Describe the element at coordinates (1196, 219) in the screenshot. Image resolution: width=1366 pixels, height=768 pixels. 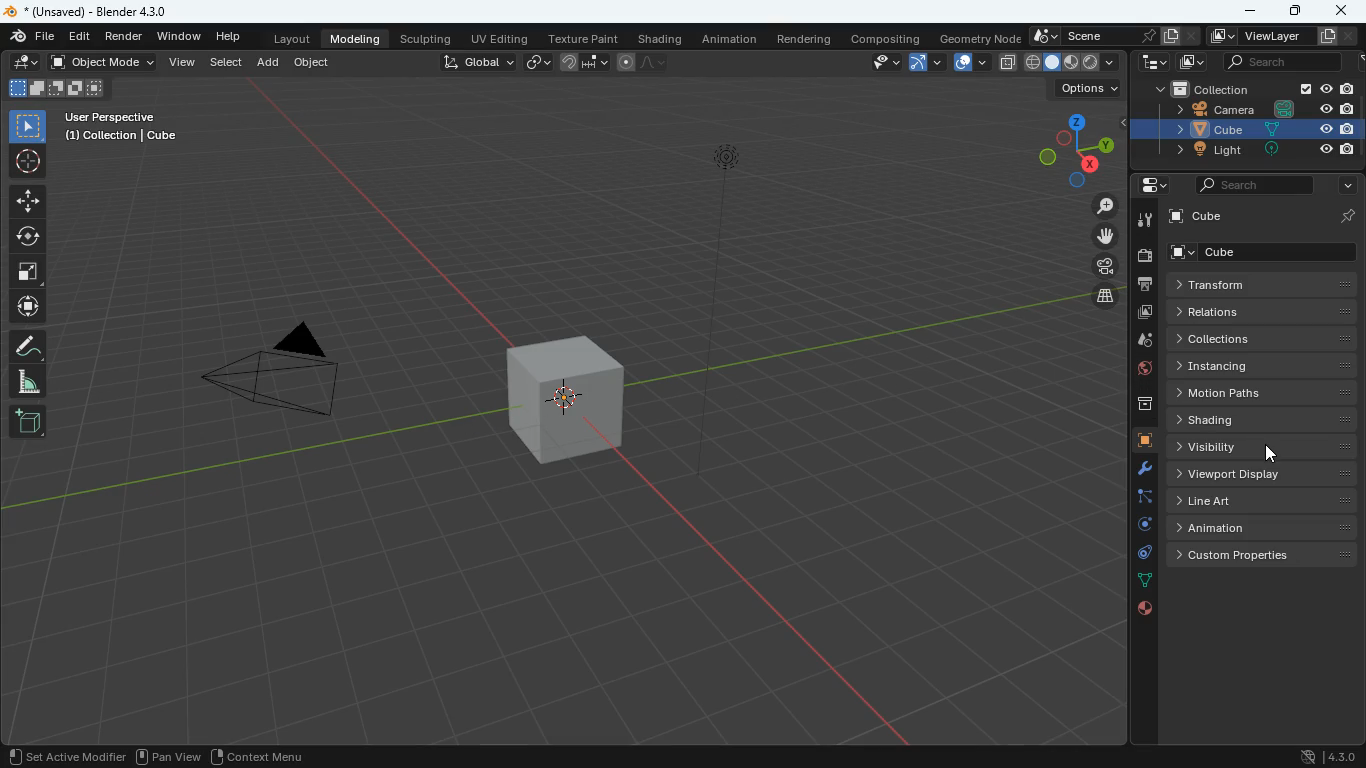
I see `cube` at that location.